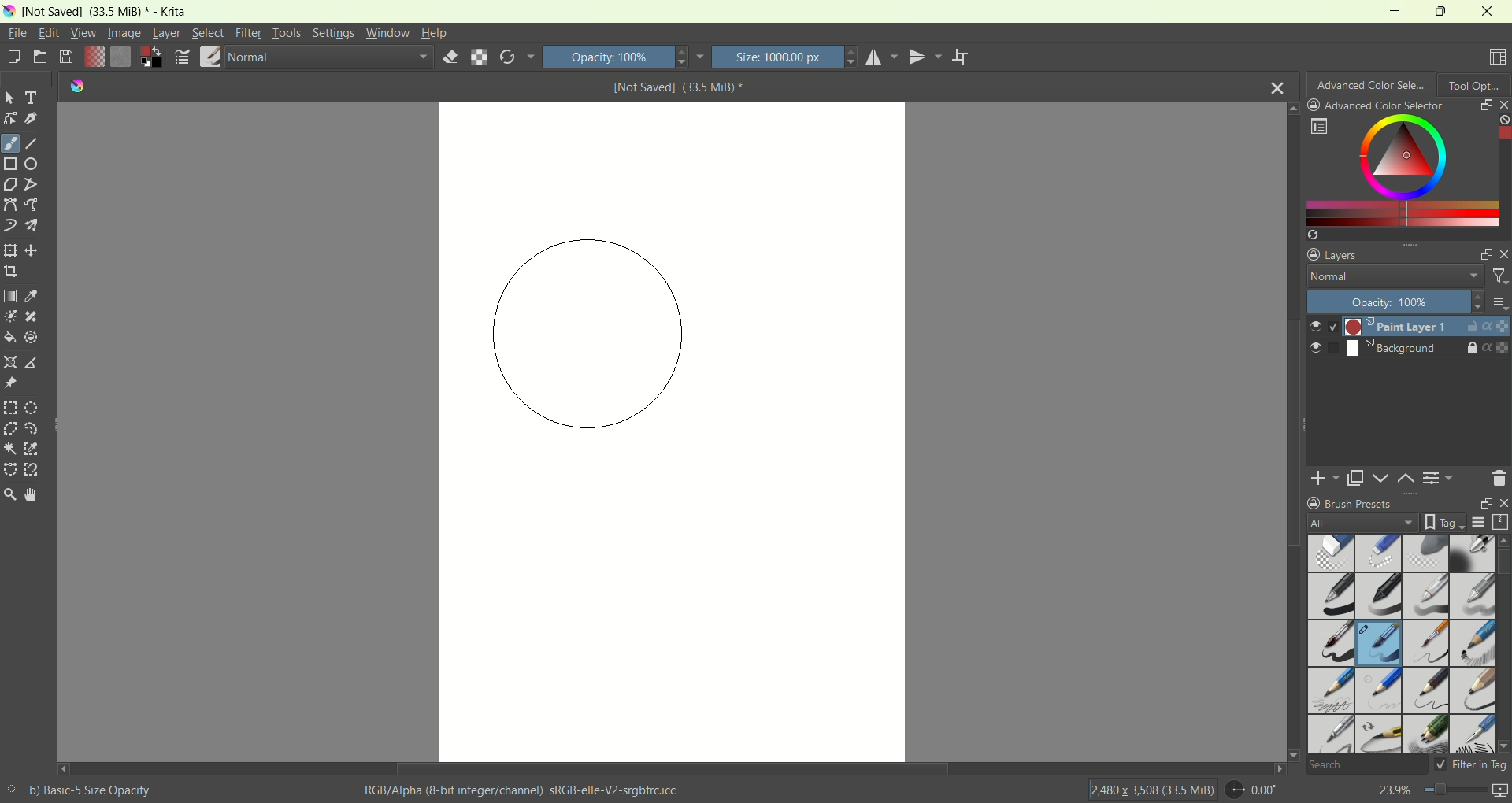 This screenshot has width=1512, height=803. I want to click on freehand path, so click(34, 205).